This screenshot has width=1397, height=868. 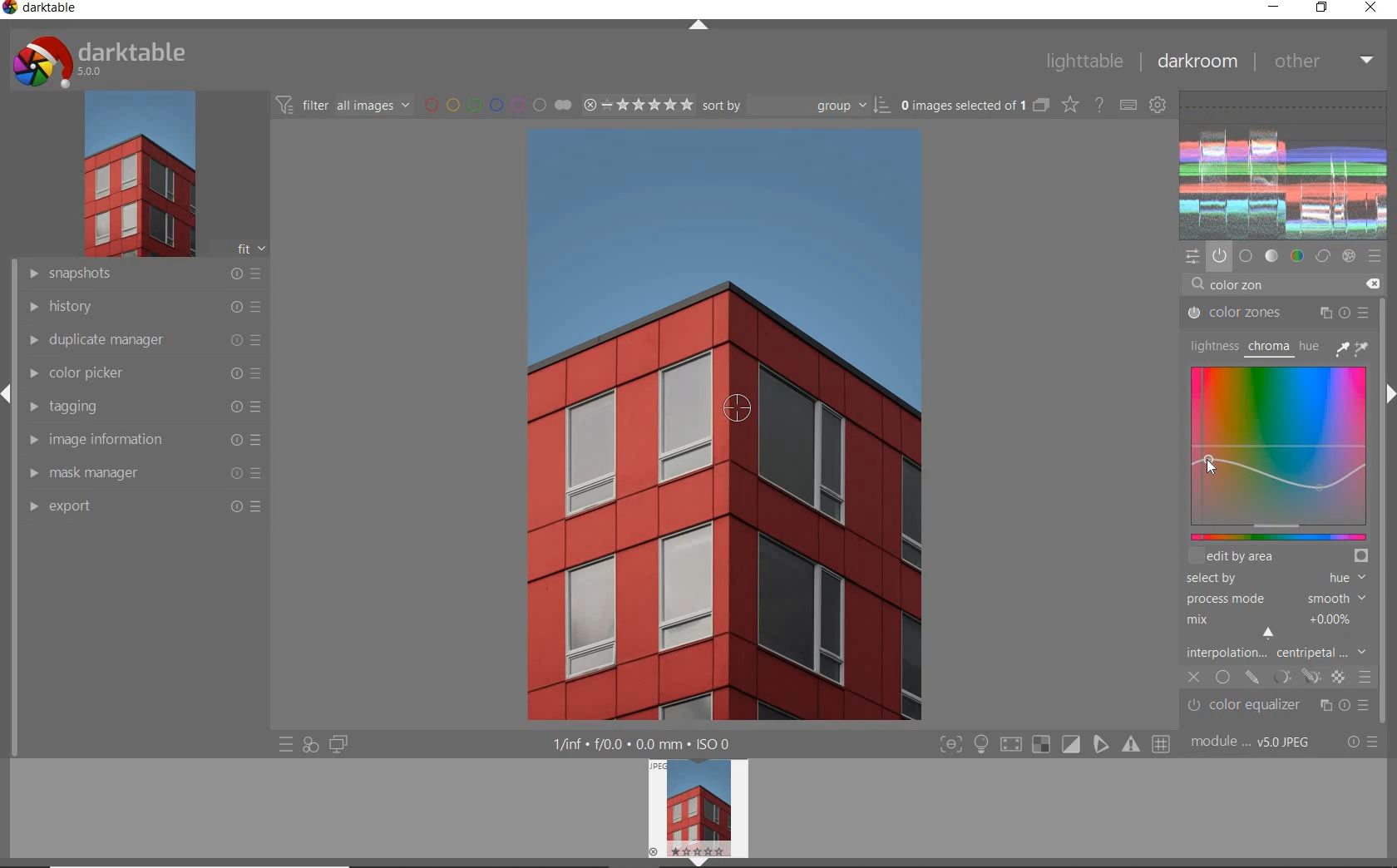 What do you see at coordinates (1362, 743) in the screenshot?
I see `reset or presets & preferences` at bounding box center [1362, 743].